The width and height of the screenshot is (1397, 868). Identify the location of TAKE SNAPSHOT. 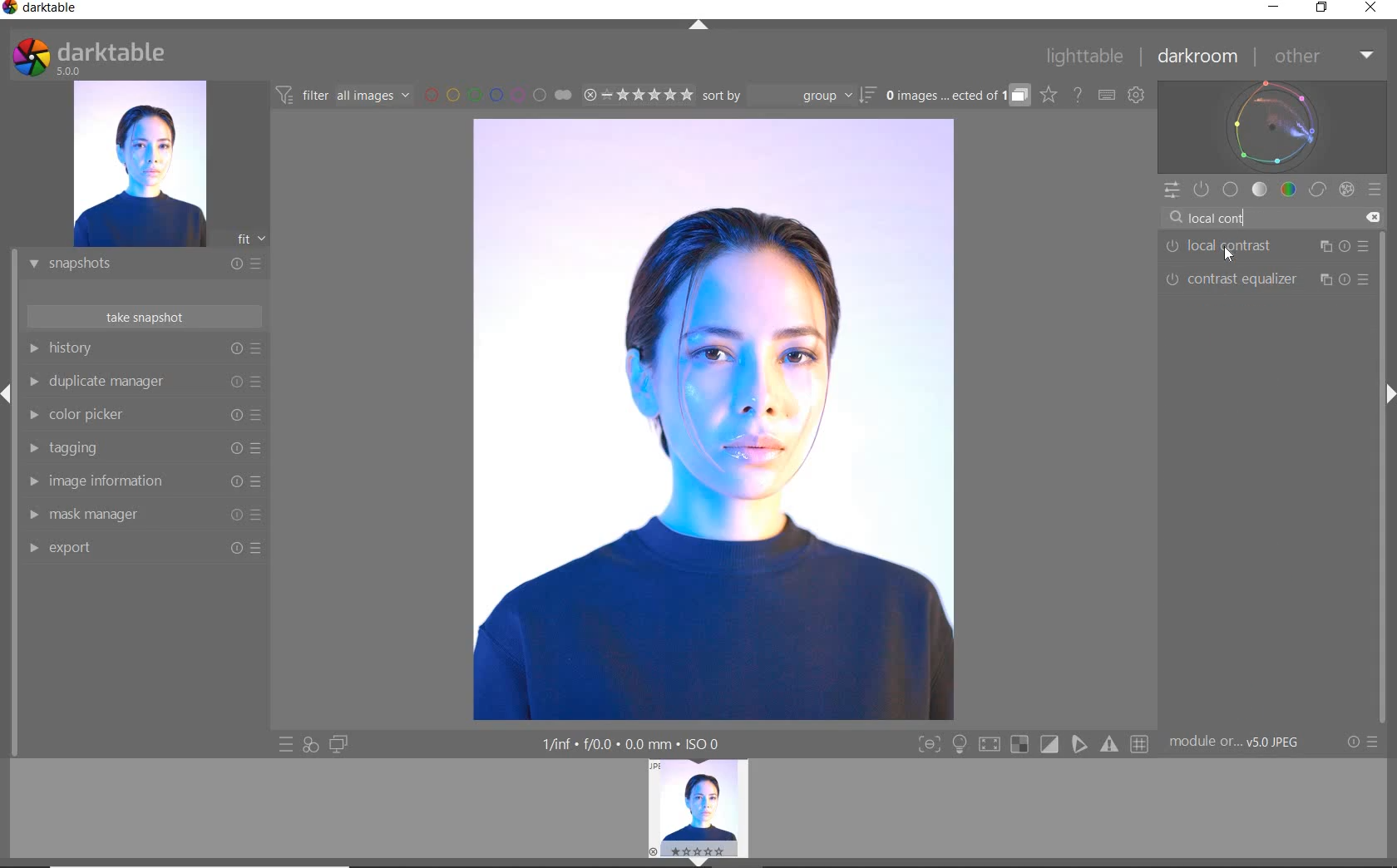
(143, 316).